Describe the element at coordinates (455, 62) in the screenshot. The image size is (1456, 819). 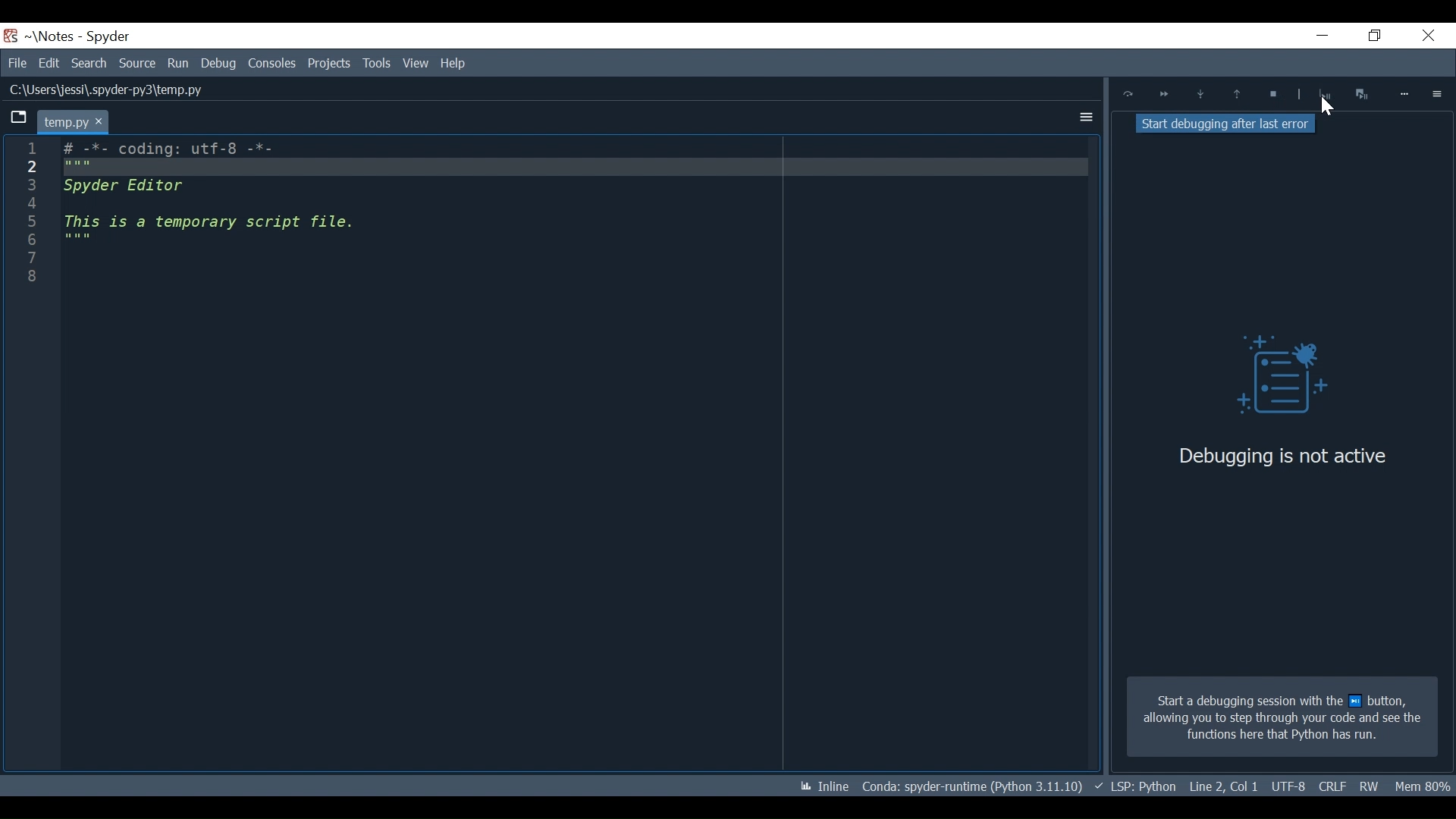
I see `Help` at that location.